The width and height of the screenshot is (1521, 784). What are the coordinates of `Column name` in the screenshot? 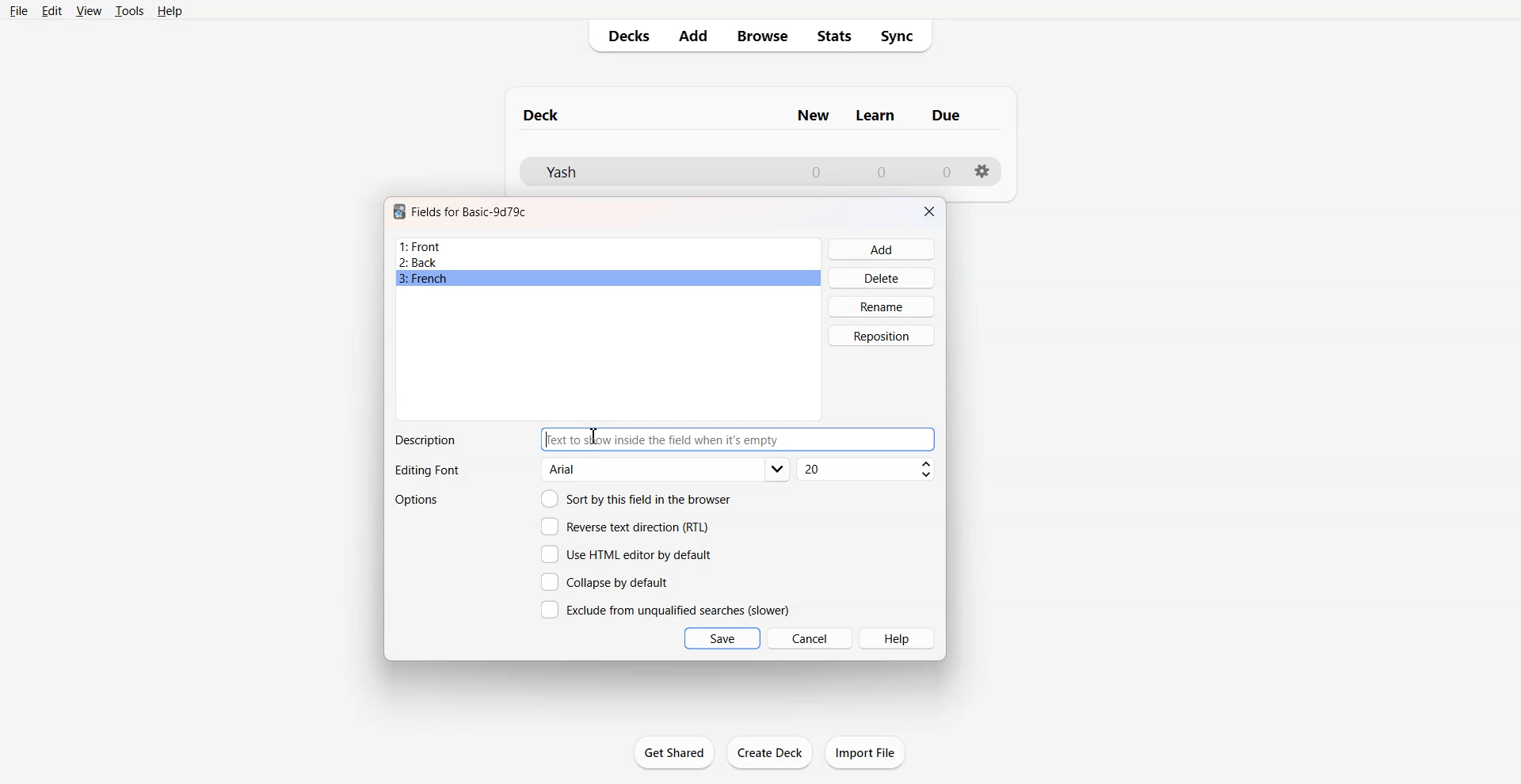 It's located at (946, 115).